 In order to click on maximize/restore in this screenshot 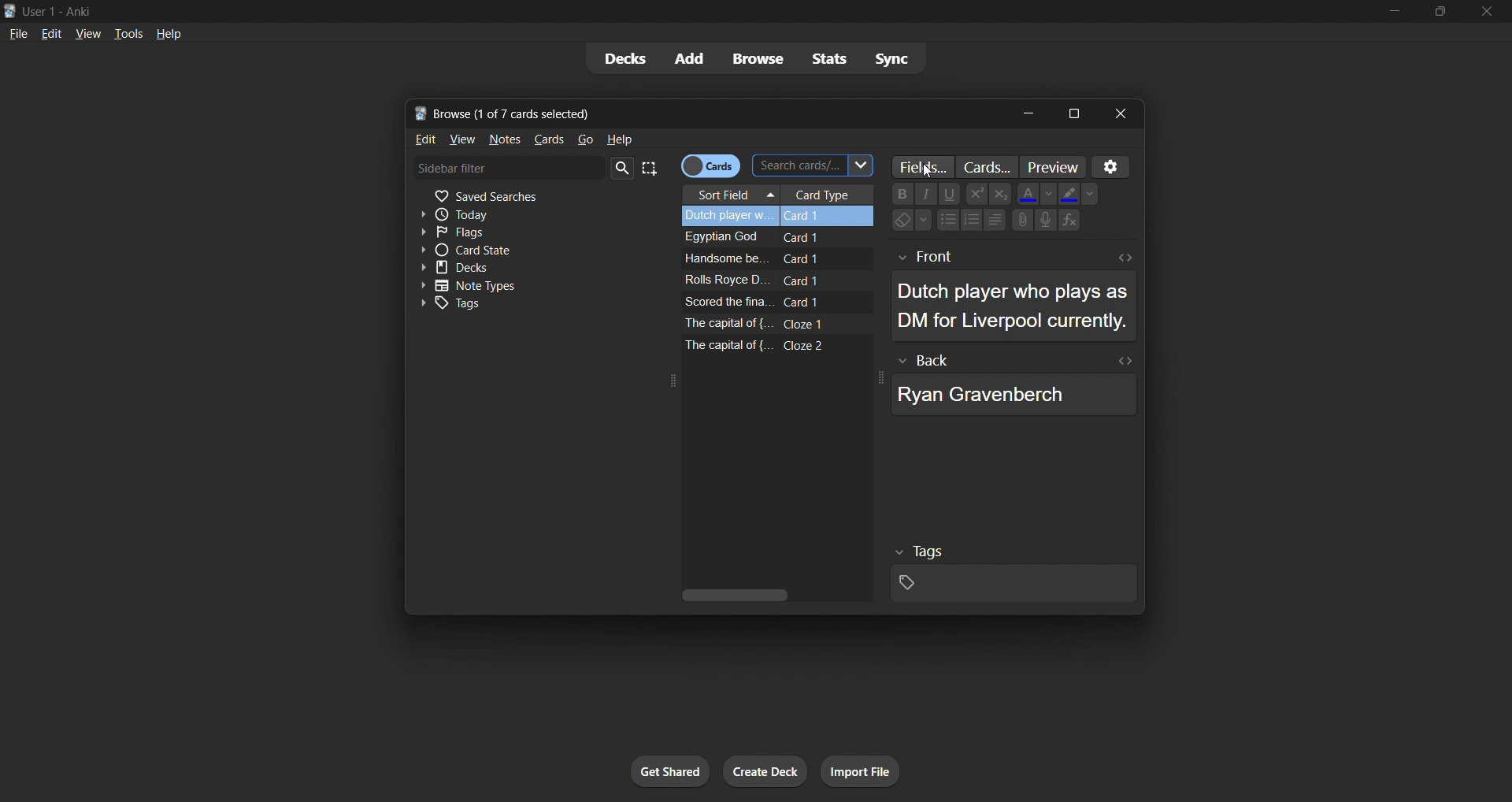, I will do `click(1438, 13)`.